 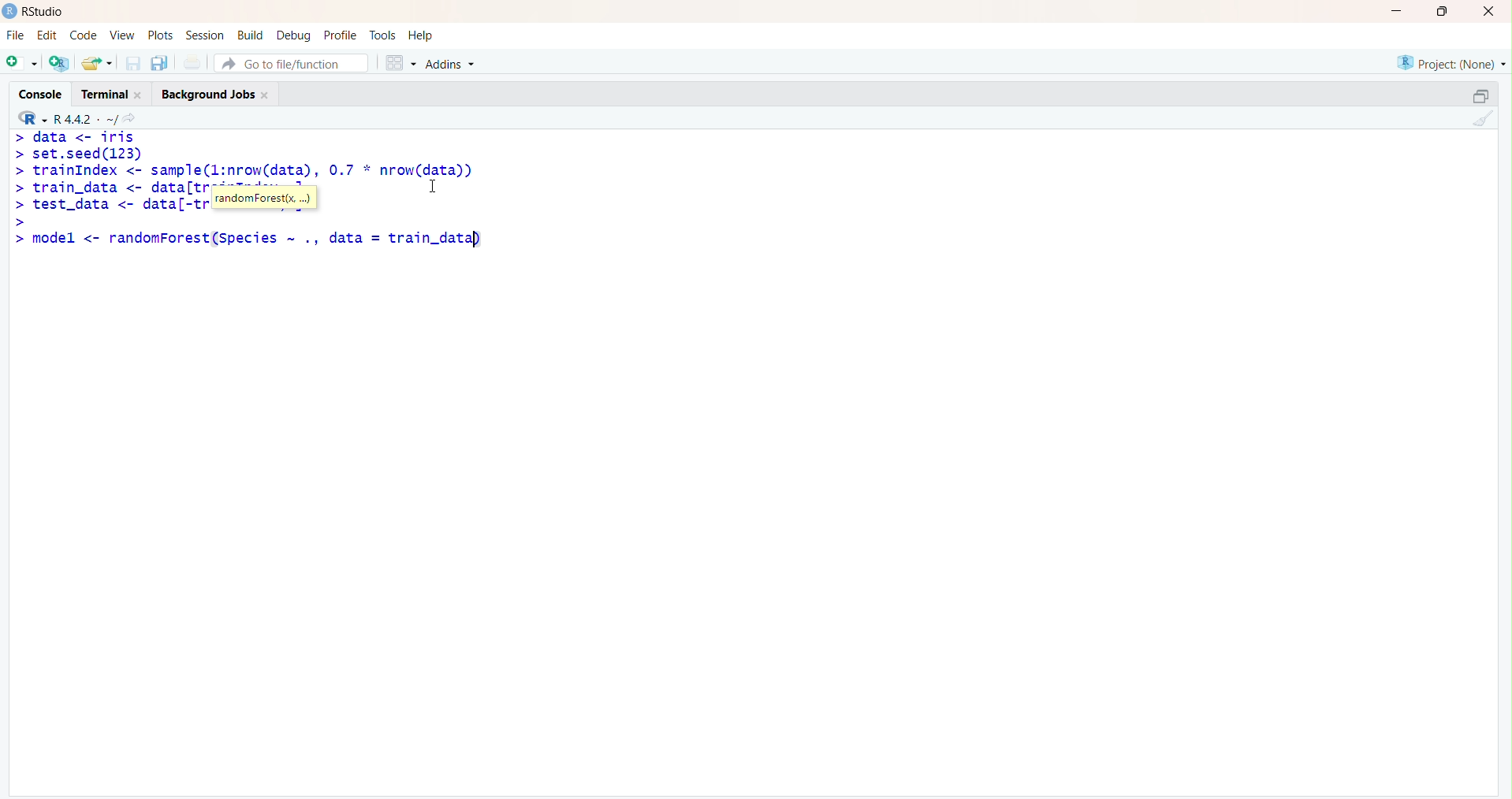 I want to click on data <- iris, so click(x=85, y=136).